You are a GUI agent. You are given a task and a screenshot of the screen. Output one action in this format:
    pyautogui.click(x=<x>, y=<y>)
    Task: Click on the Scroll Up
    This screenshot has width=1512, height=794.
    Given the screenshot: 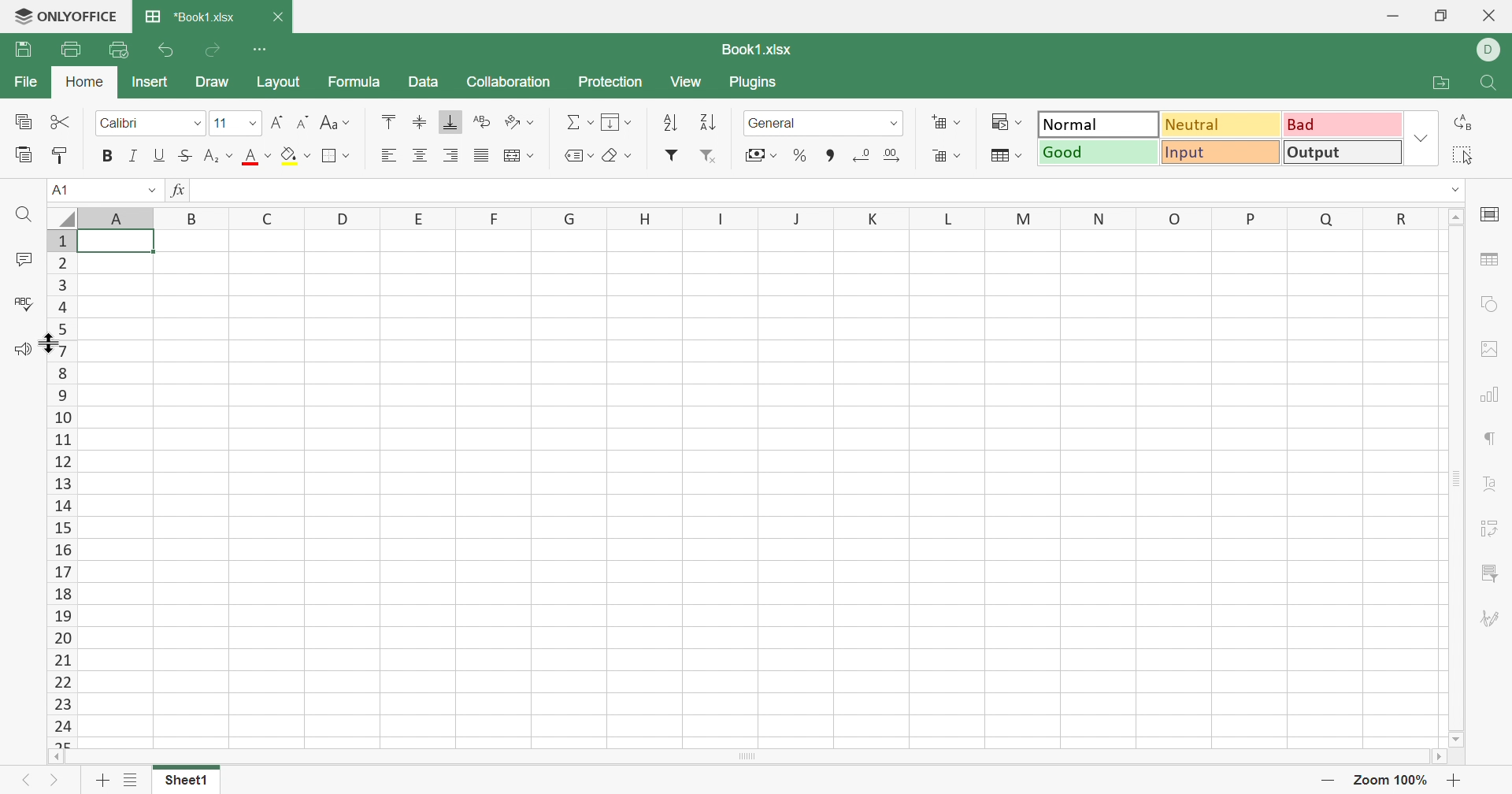 What is the action you would take?
    pyautogui.click(x=1454, y=217)
    